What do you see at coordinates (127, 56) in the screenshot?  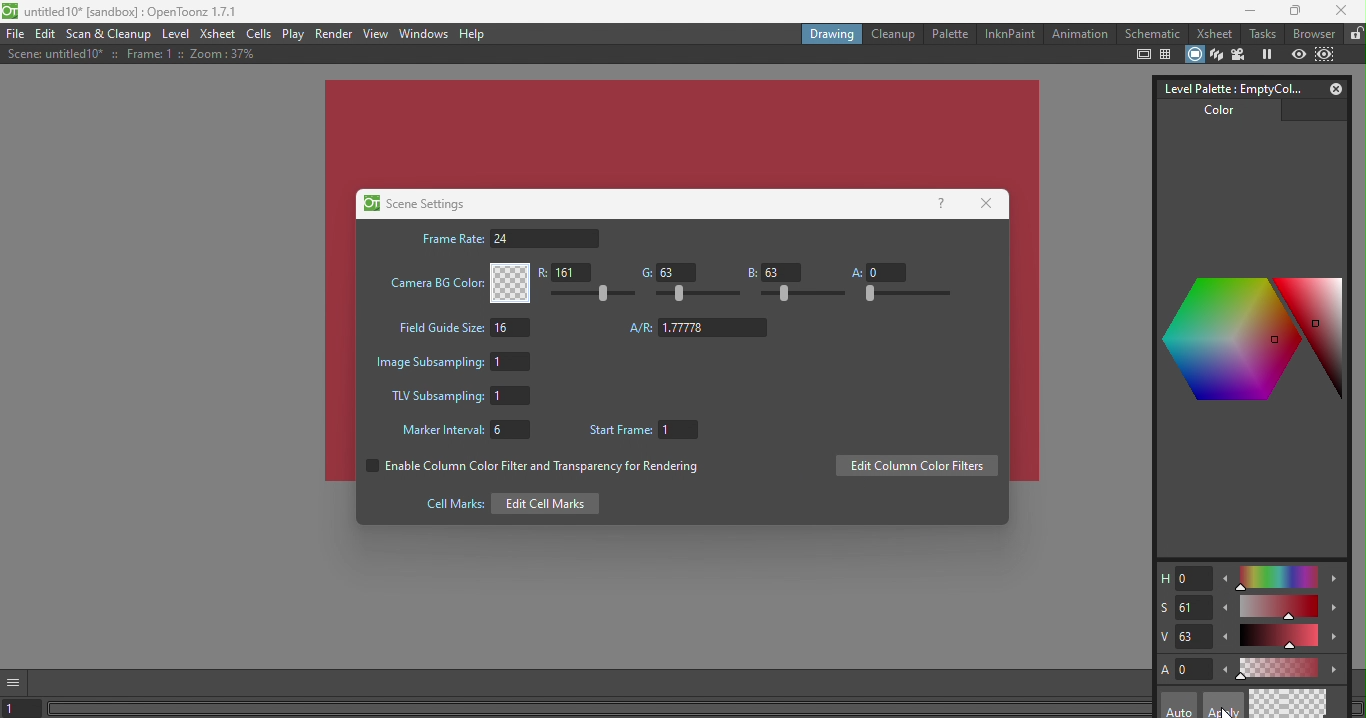 I see `Scene details` at bounding box center [127, 56].